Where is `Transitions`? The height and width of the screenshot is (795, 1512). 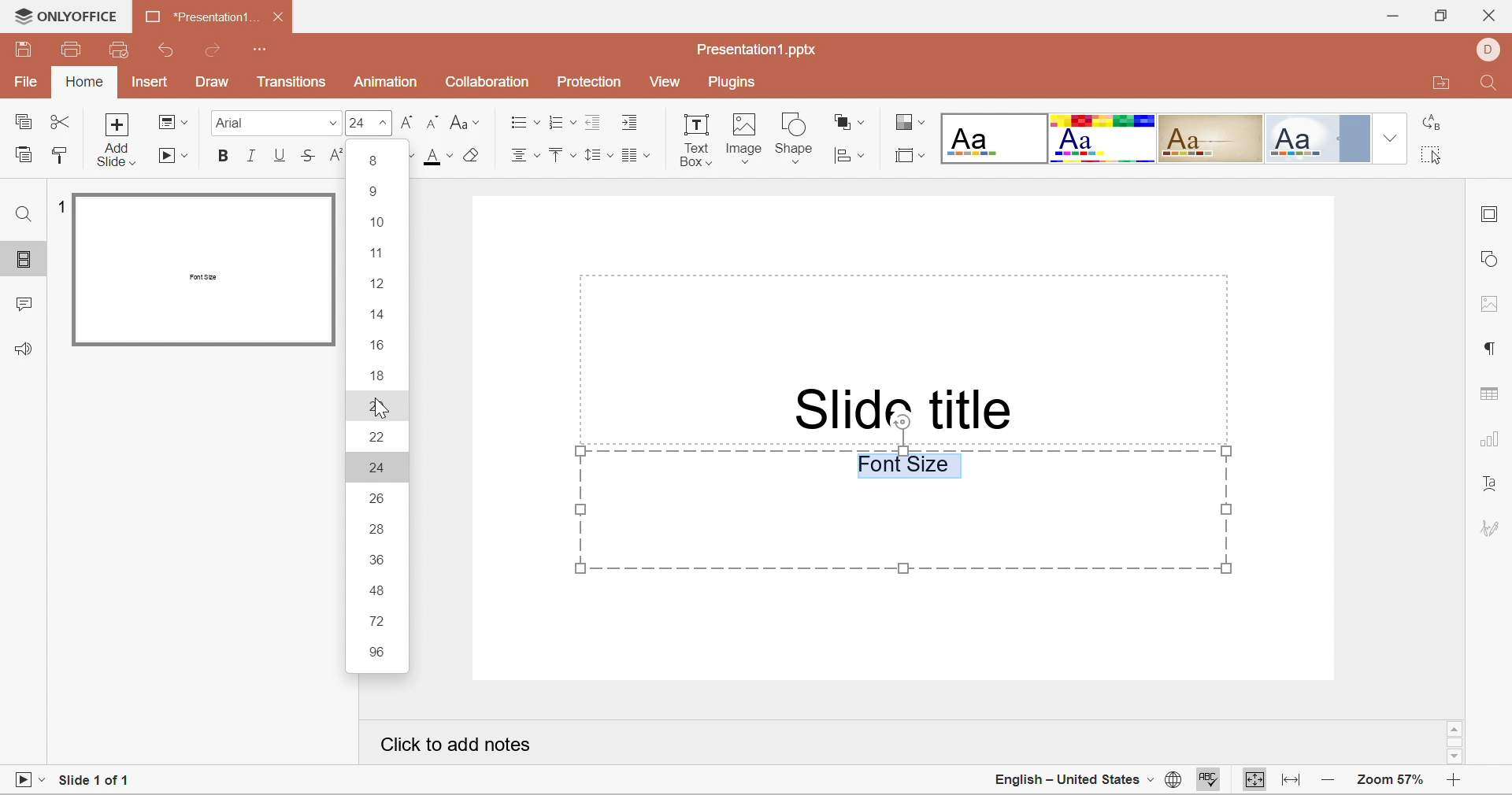
Transitions is located at coordinates (292, 85).